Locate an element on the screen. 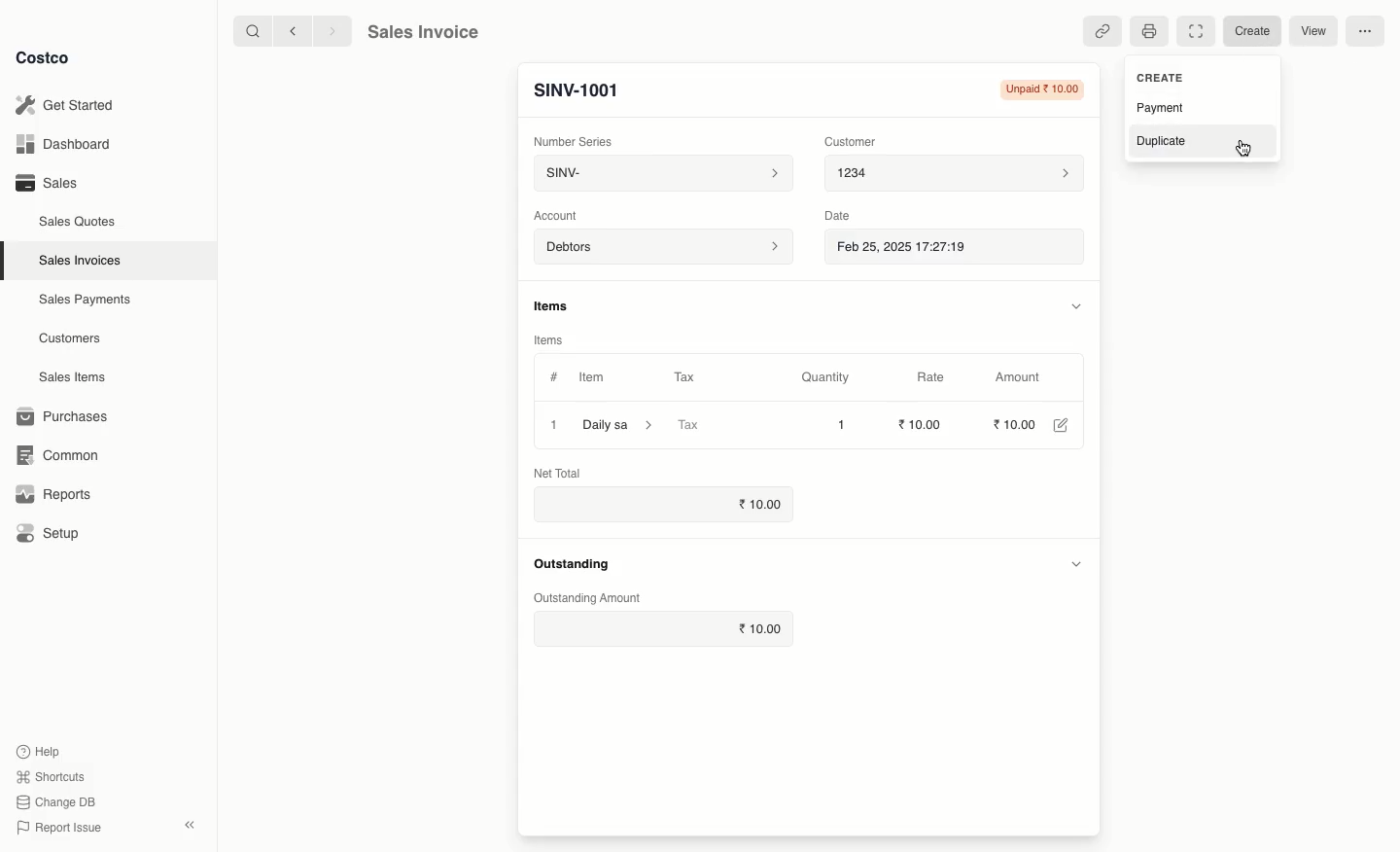  Item is located at coordinates (594, 377).